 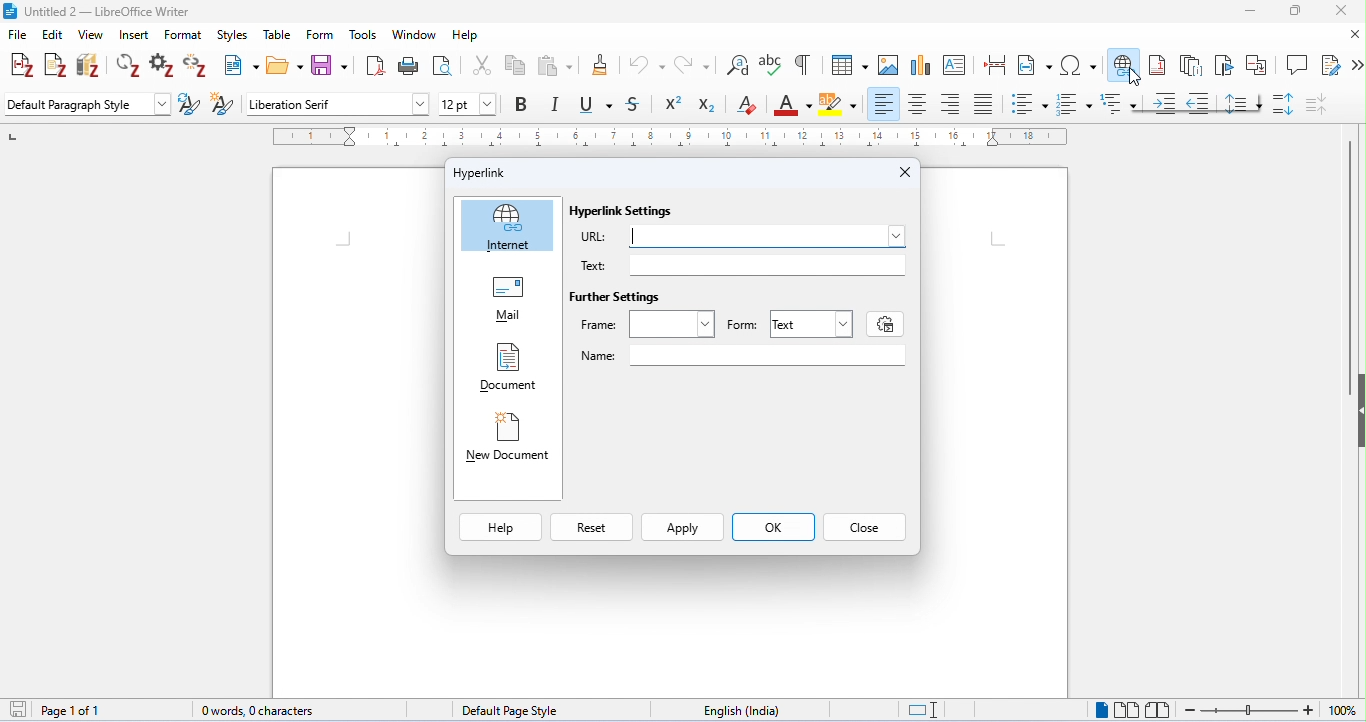 I want to click on strikethrough, so click(x=634, y=104).